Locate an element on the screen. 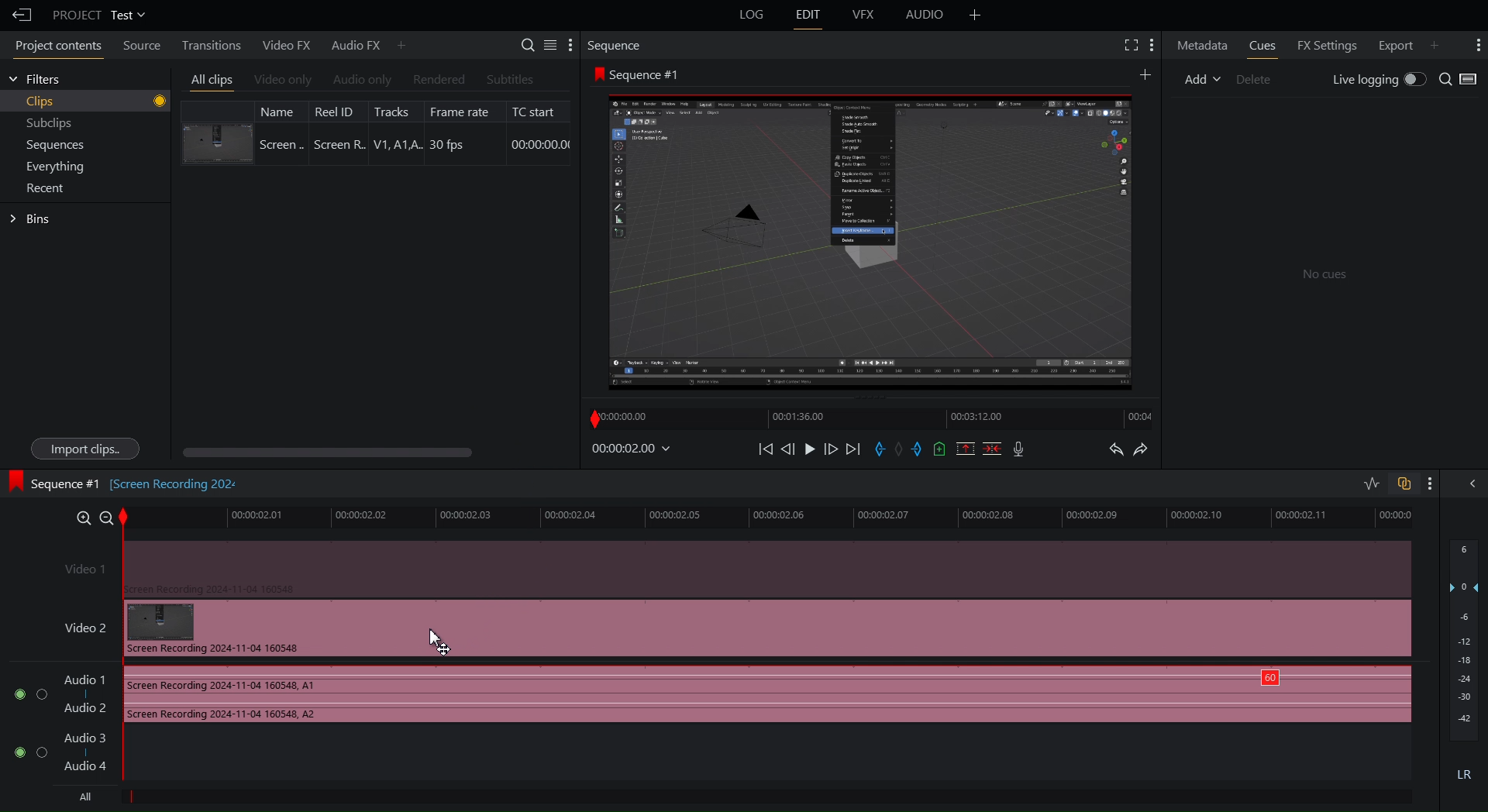 Image resolution: width=1488 pixels, height=812 pixels. Add is located at coordinates (1202, 77).